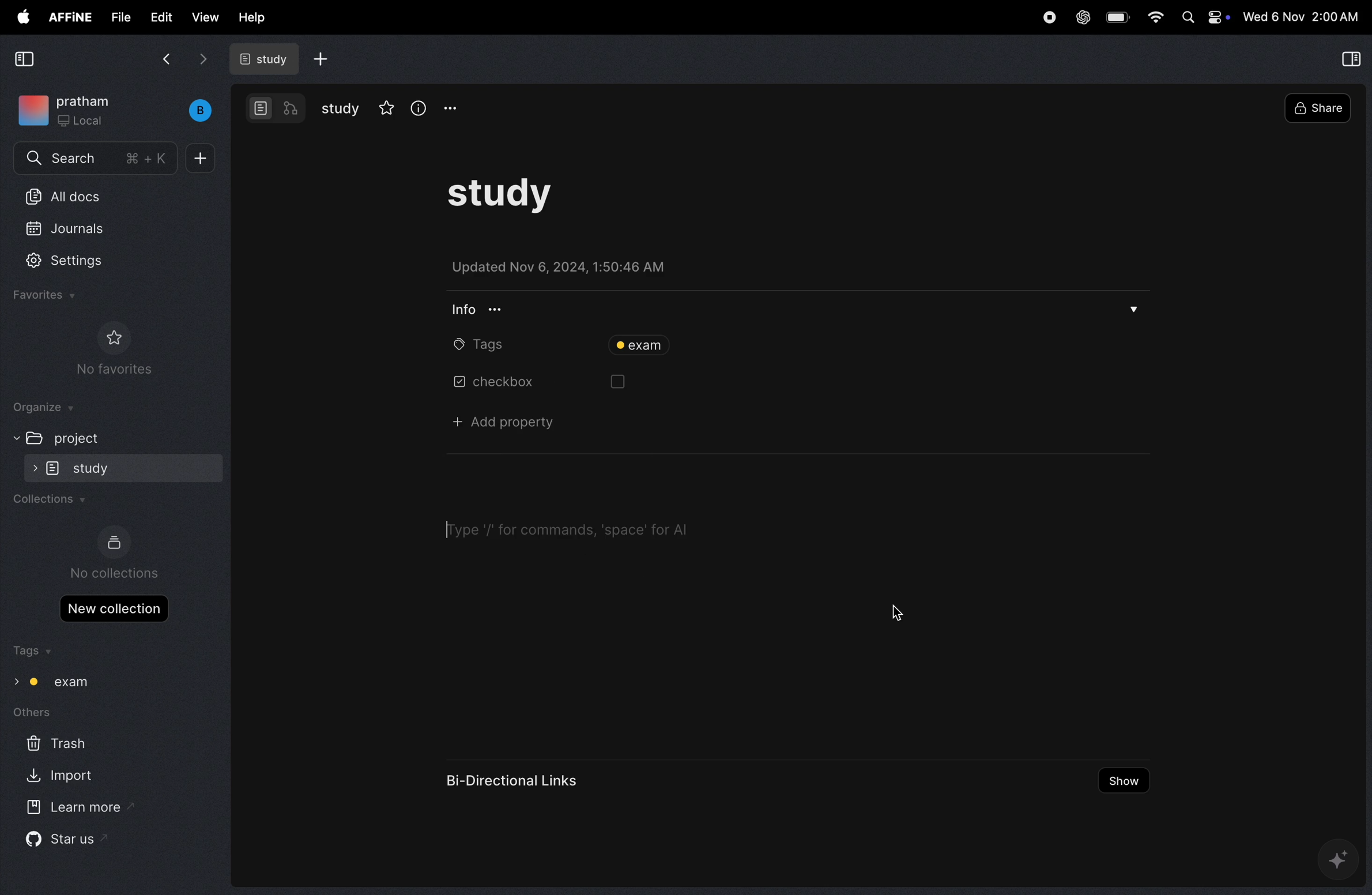 The width and height of the screenshot is (1372, 895). Describe the element at coordinates (163, 61) in the screenshot. I see `back` at that location.